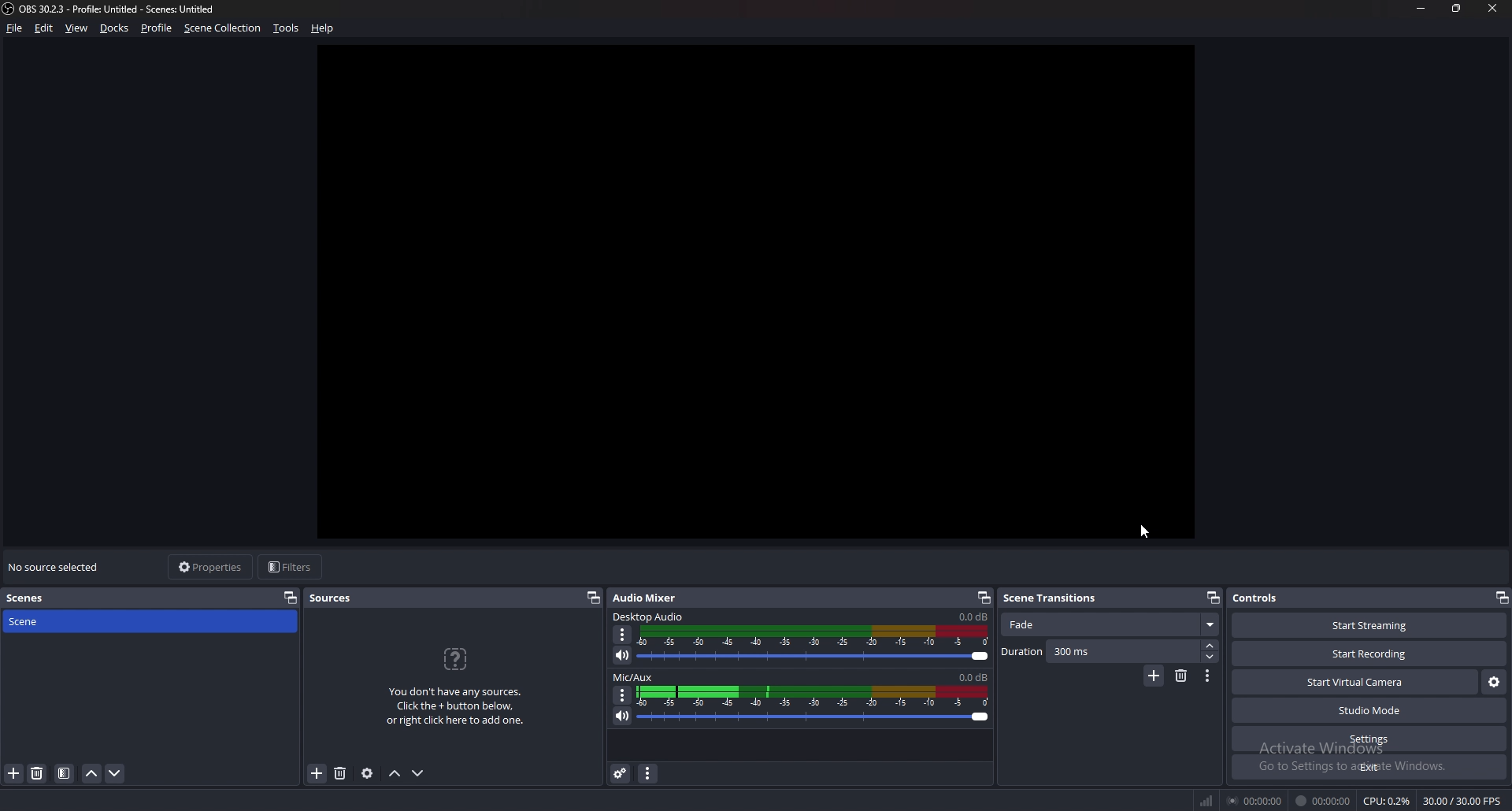 The height and width of the screenshot is (811, 1512). Describe the element at coordinates (124, 6) in the screenshot. I see `ObS 30.2.3 - Profile: Untitled - Scenes: Untitled` at that location.